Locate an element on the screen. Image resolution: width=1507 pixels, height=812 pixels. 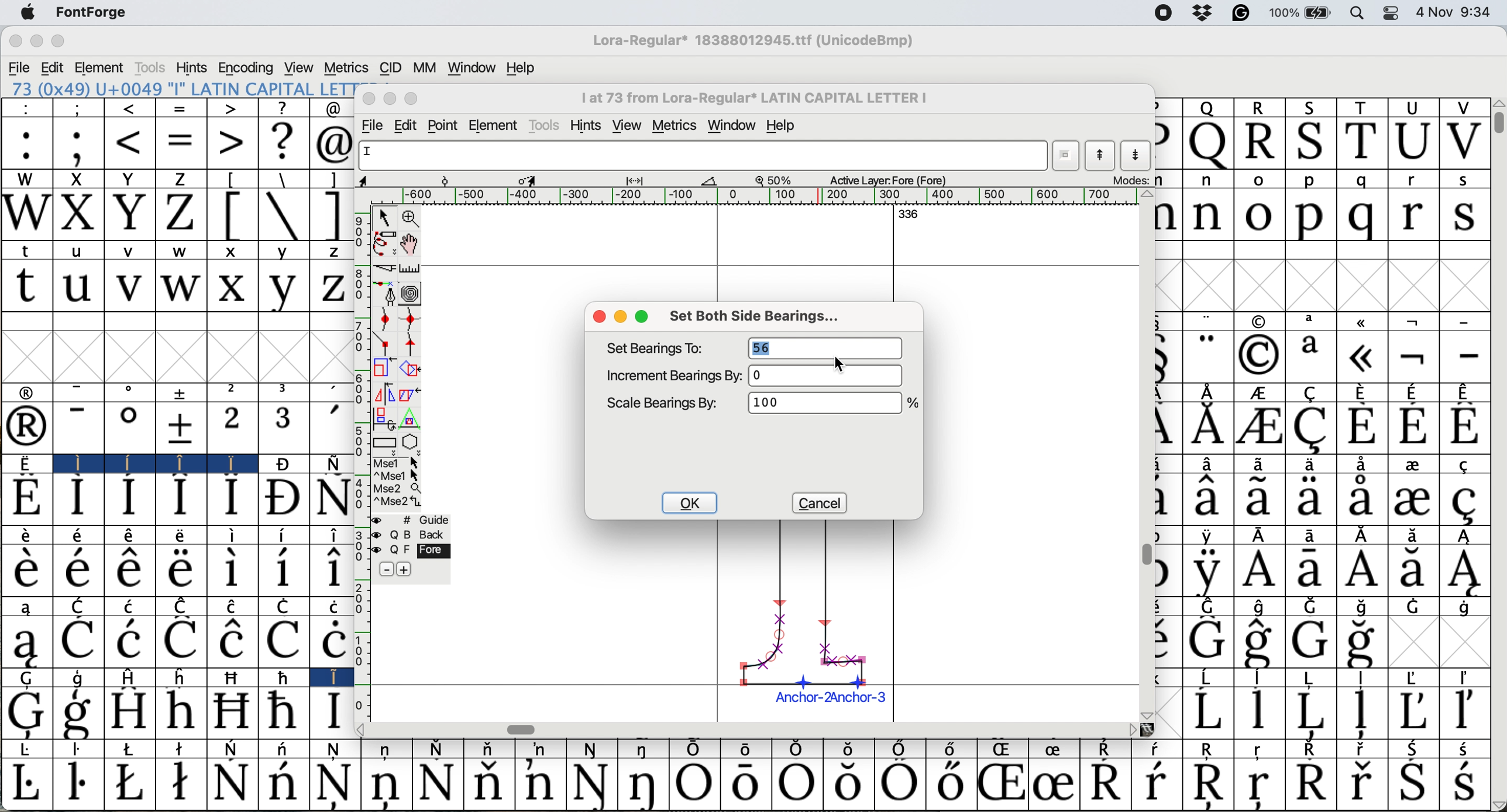
U is located at coordinates (1411, 144).